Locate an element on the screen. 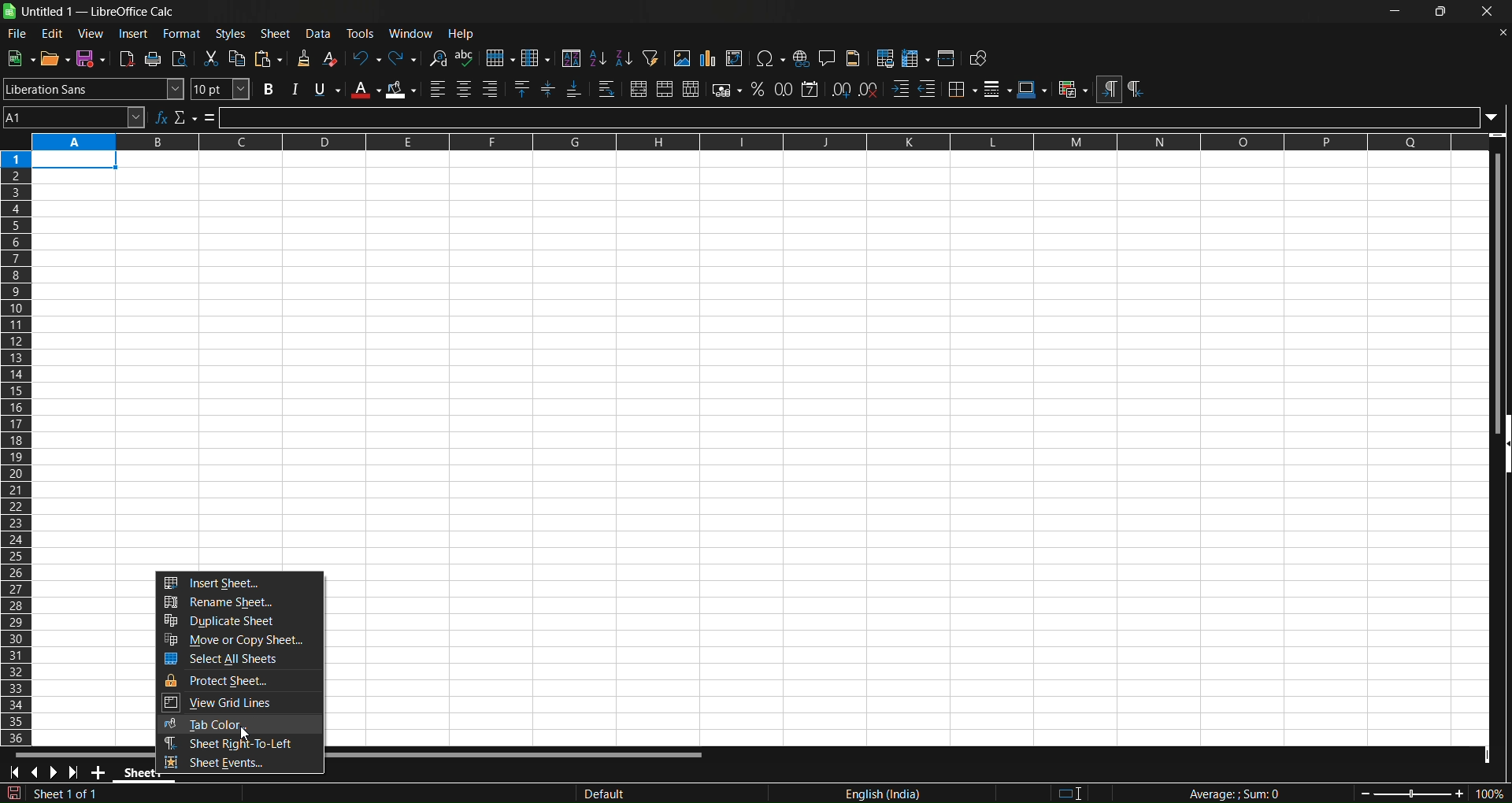  edit is located at coordinates (53, 34).